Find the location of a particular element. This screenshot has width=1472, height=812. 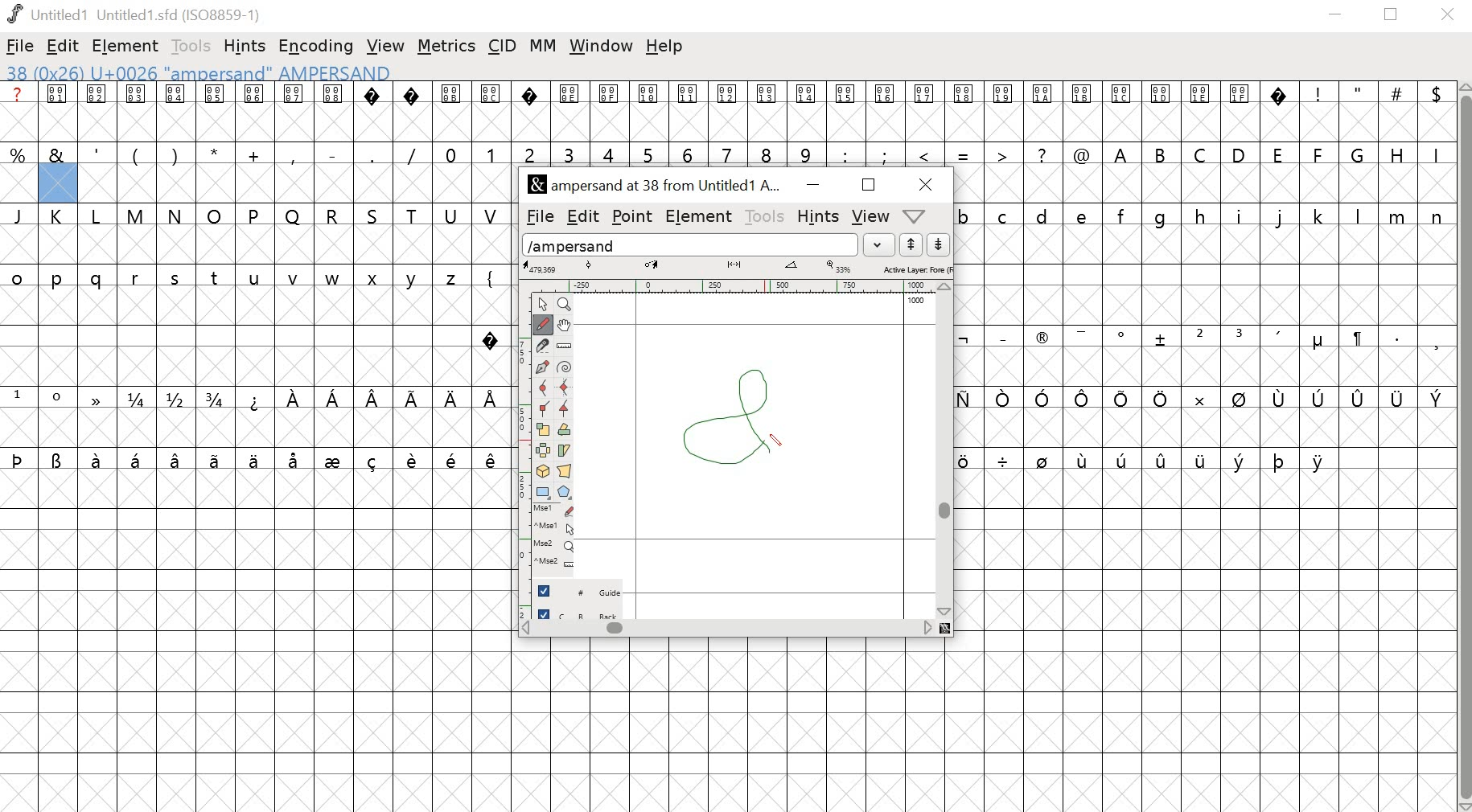

! is located at coordinates (1318, 111).